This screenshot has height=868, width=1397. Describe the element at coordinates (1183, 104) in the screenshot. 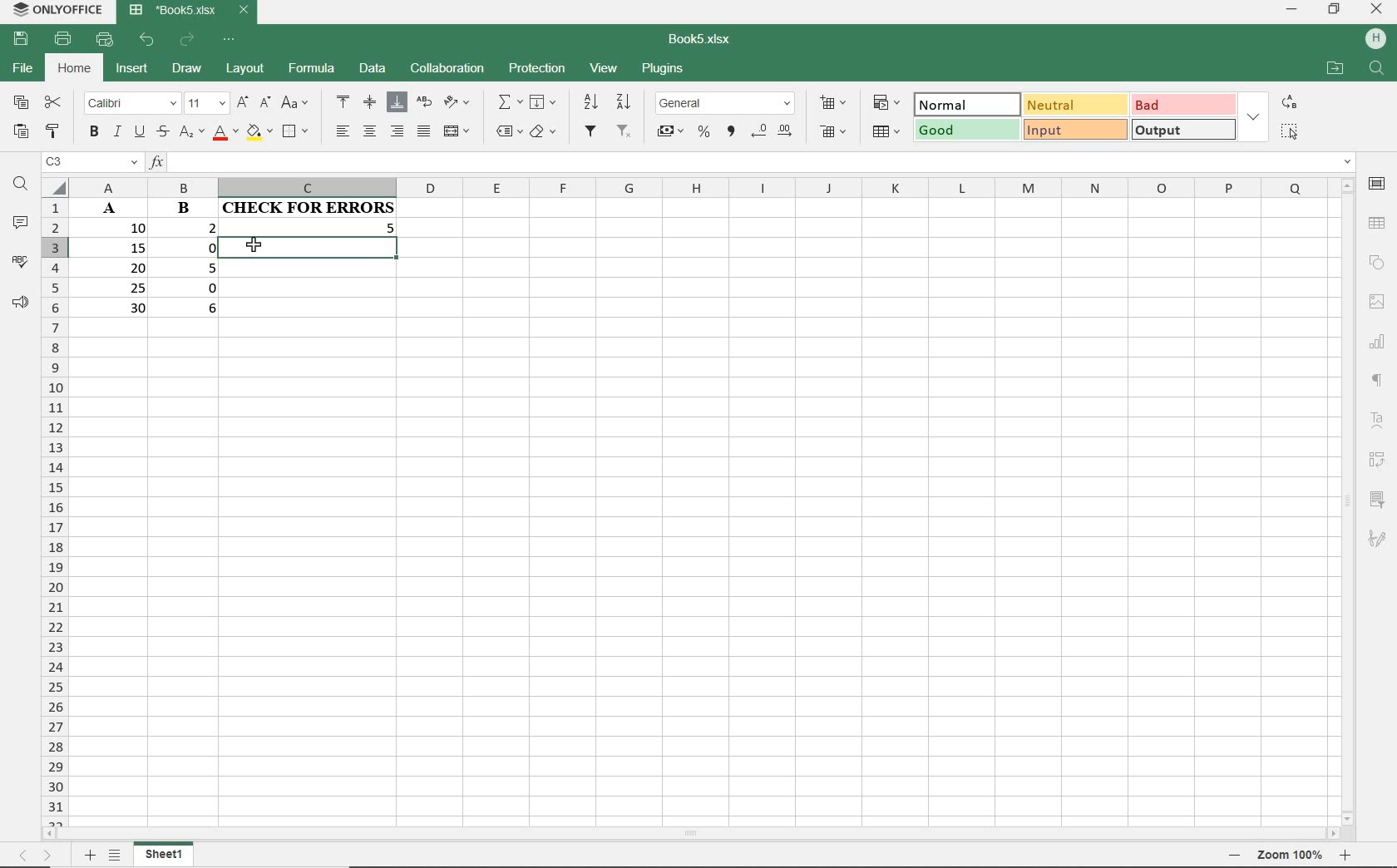

I see `BAD` at that location.